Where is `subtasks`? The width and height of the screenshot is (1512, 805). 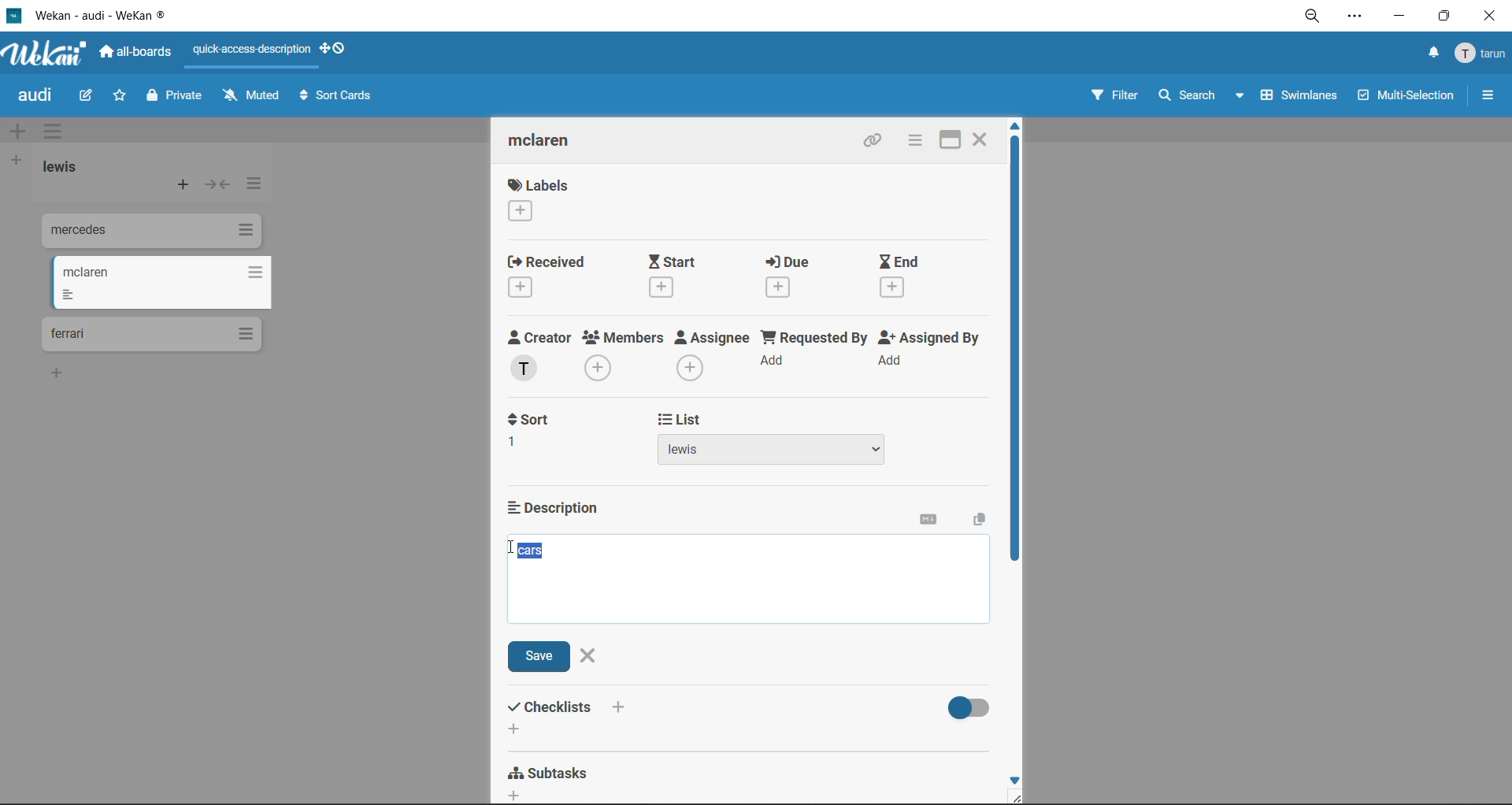
subtasks is located at coordinates (555, 779).